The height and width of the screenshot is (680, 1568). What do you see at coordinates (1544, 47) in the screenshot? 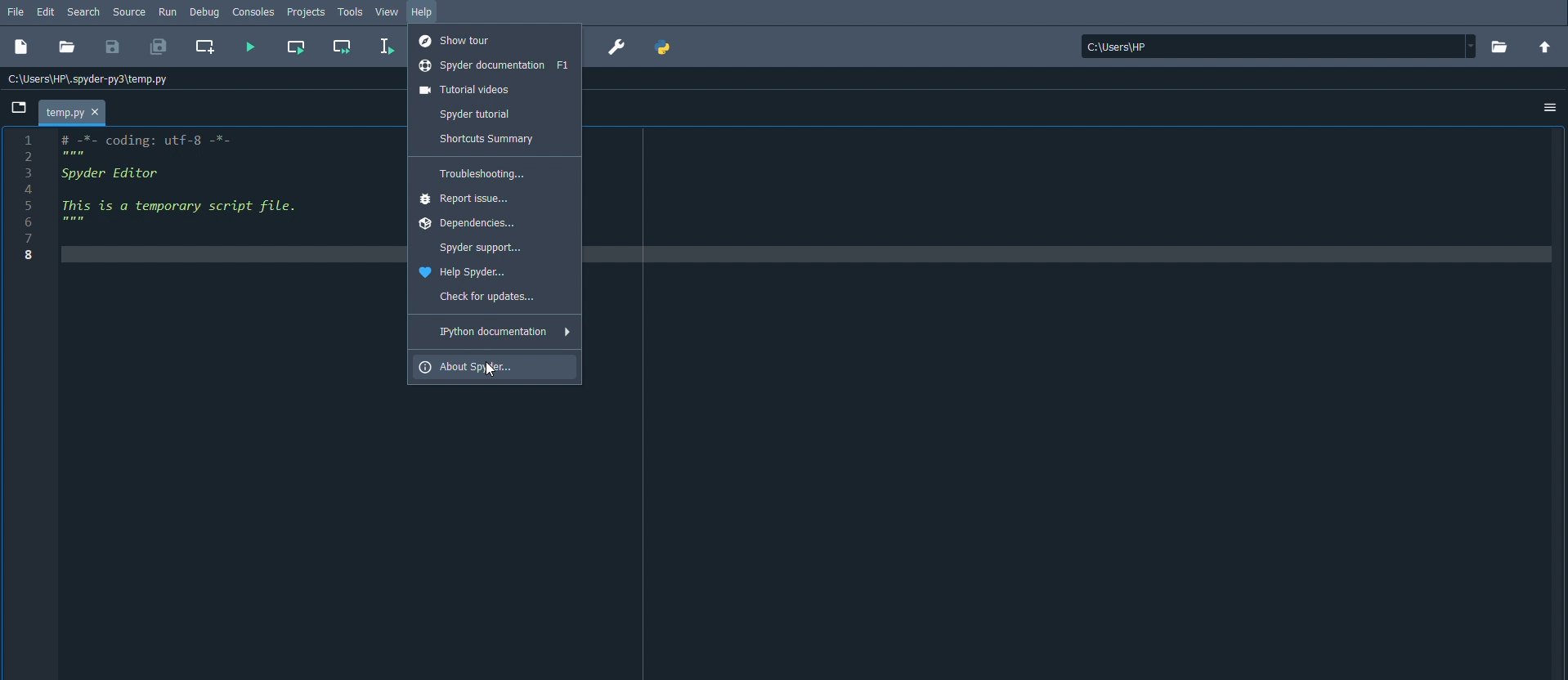
I see `Change to parent directory` at bounding box center [1544, 47].